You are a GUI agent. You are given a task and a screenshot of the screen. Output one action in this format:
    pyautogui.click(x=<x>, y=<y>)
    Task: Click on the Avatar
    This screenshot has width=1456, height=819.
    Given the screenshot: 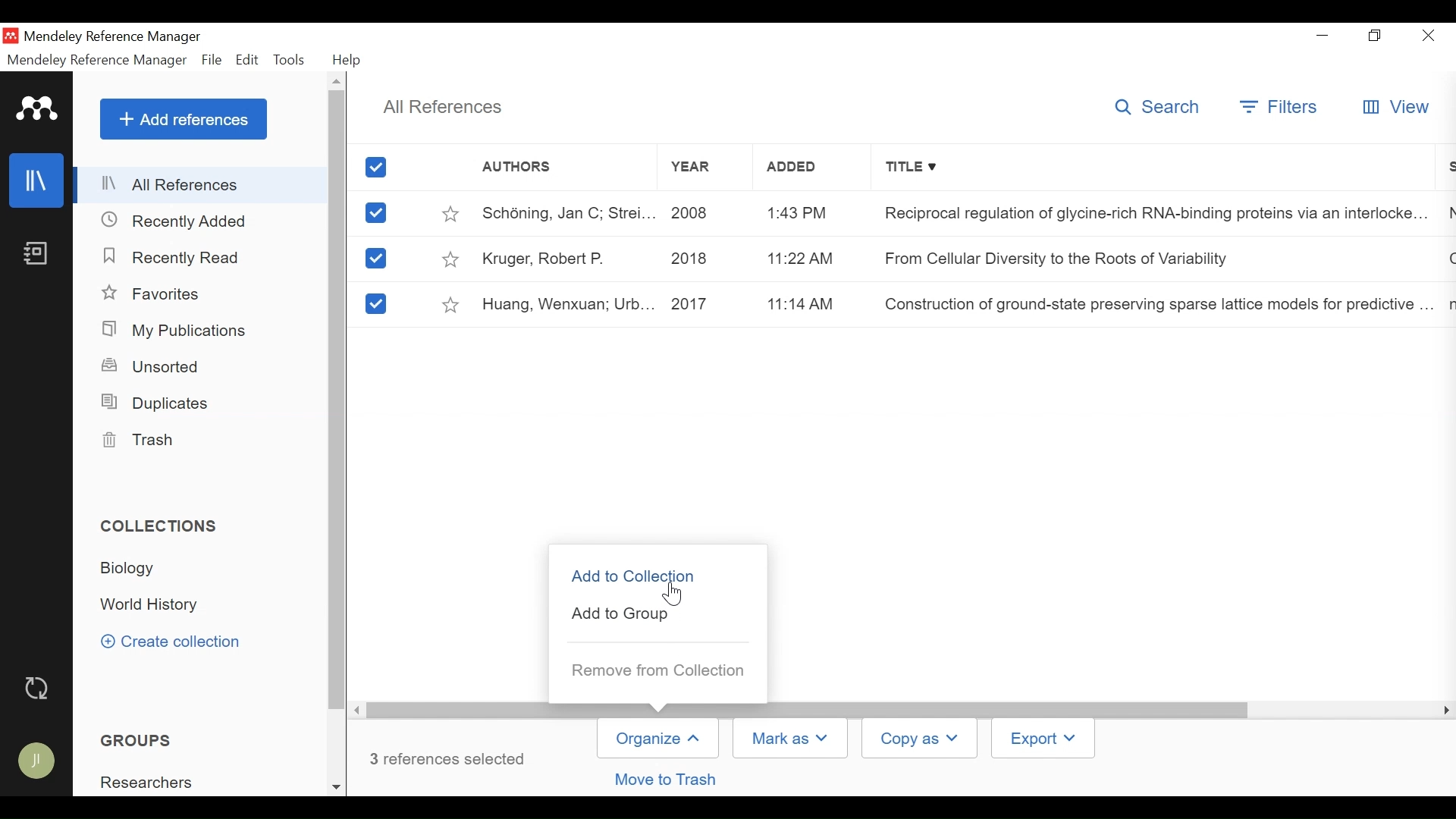 What is the action you would take?
    pyautogui.click(x=37, y=763)
    